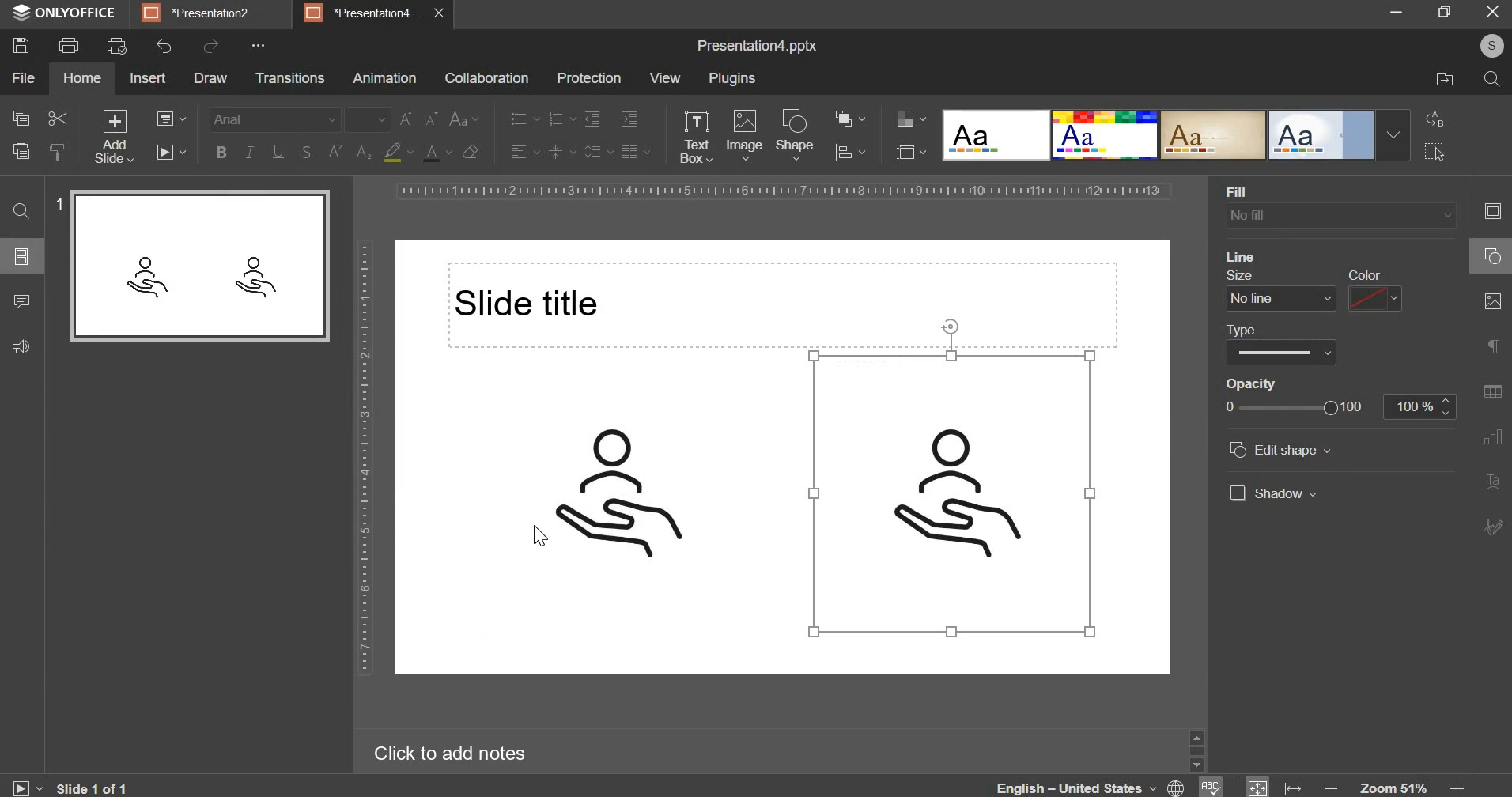 The width and height of the screenshot is (1512, 797). I want to click on shape, so click(796, 134).